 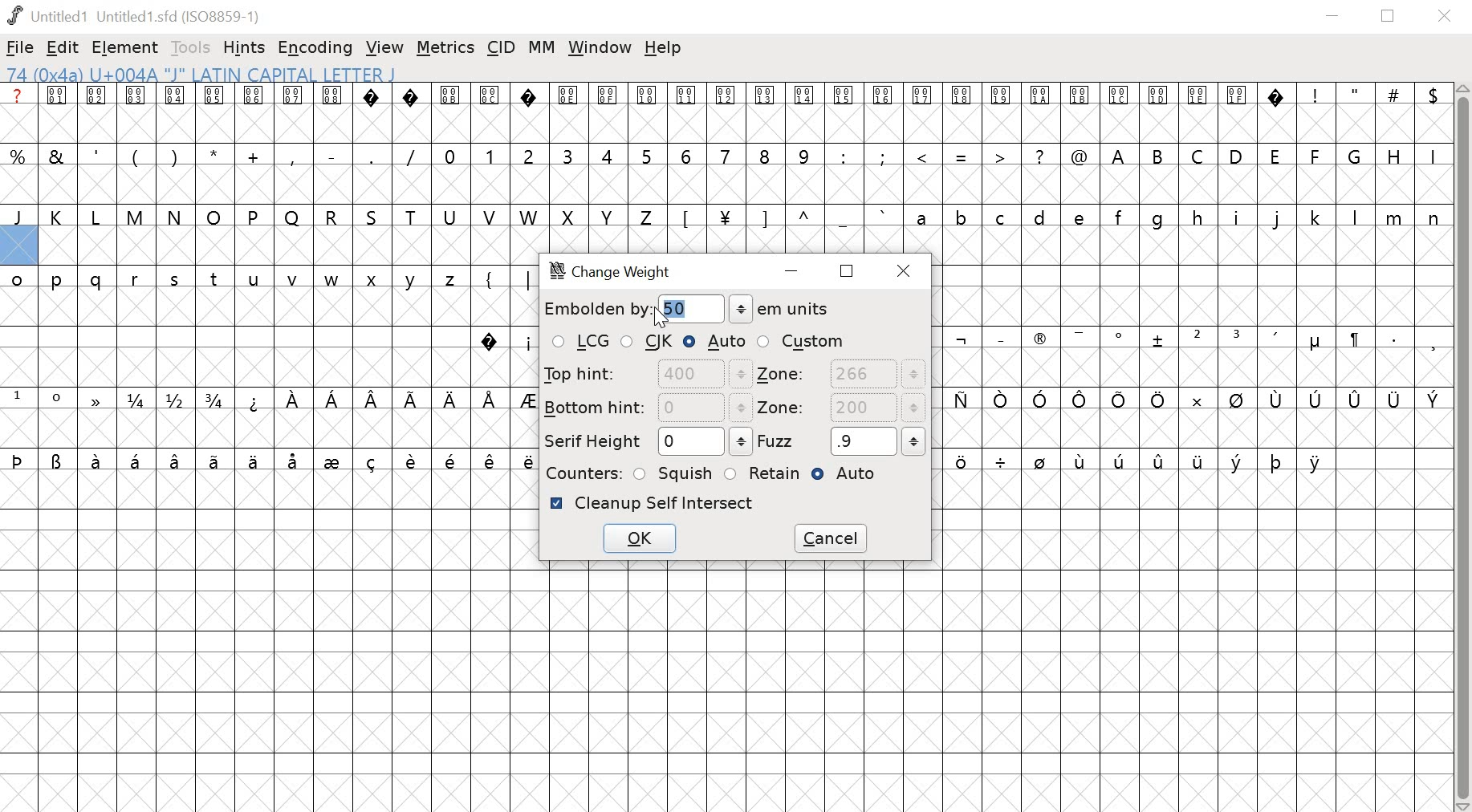 I want to click on CID, so click(x=502, y=47).